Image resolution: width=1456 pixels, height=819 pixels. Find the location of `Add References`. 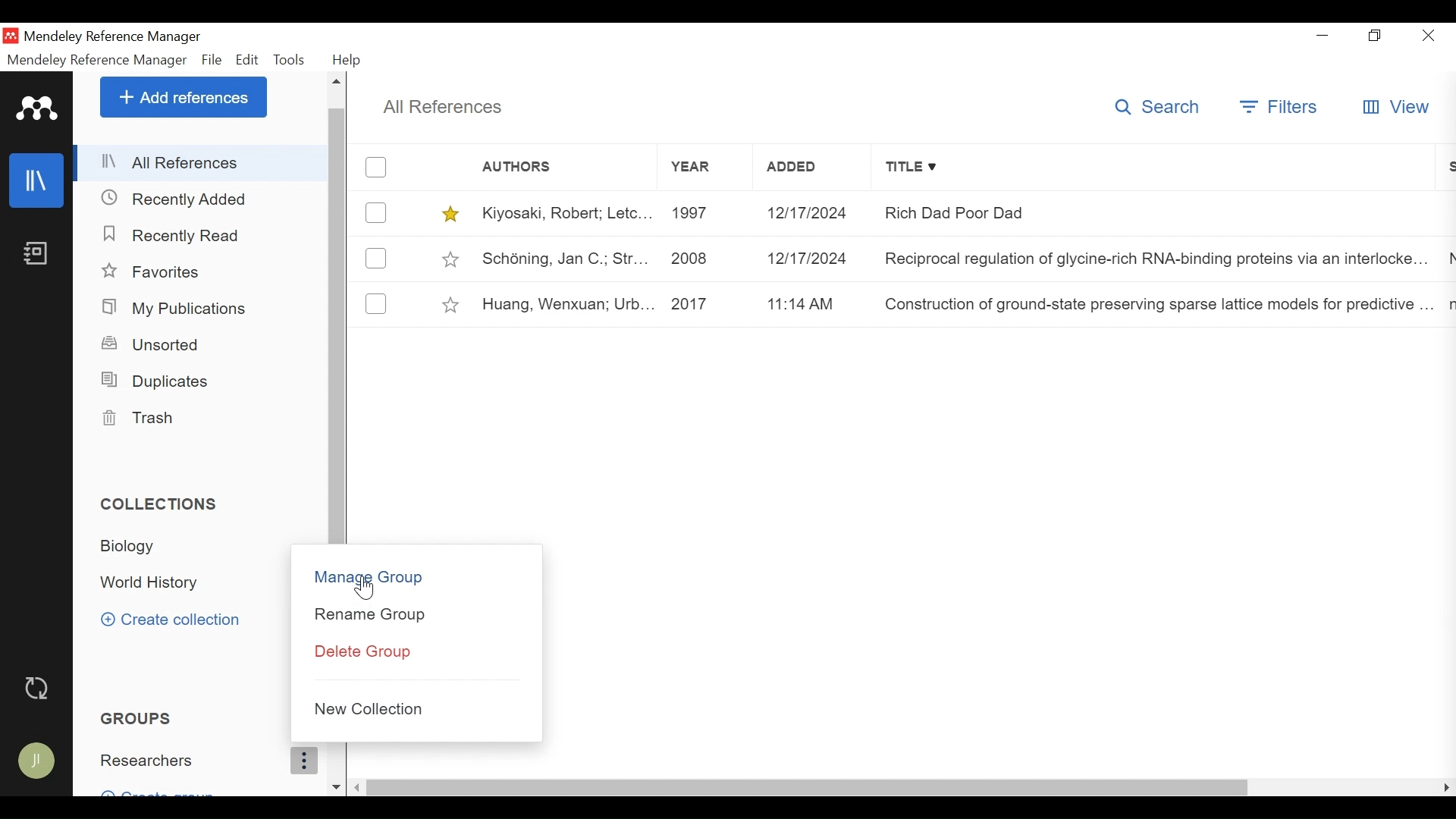

Add References is located at coordinates (184, 96).